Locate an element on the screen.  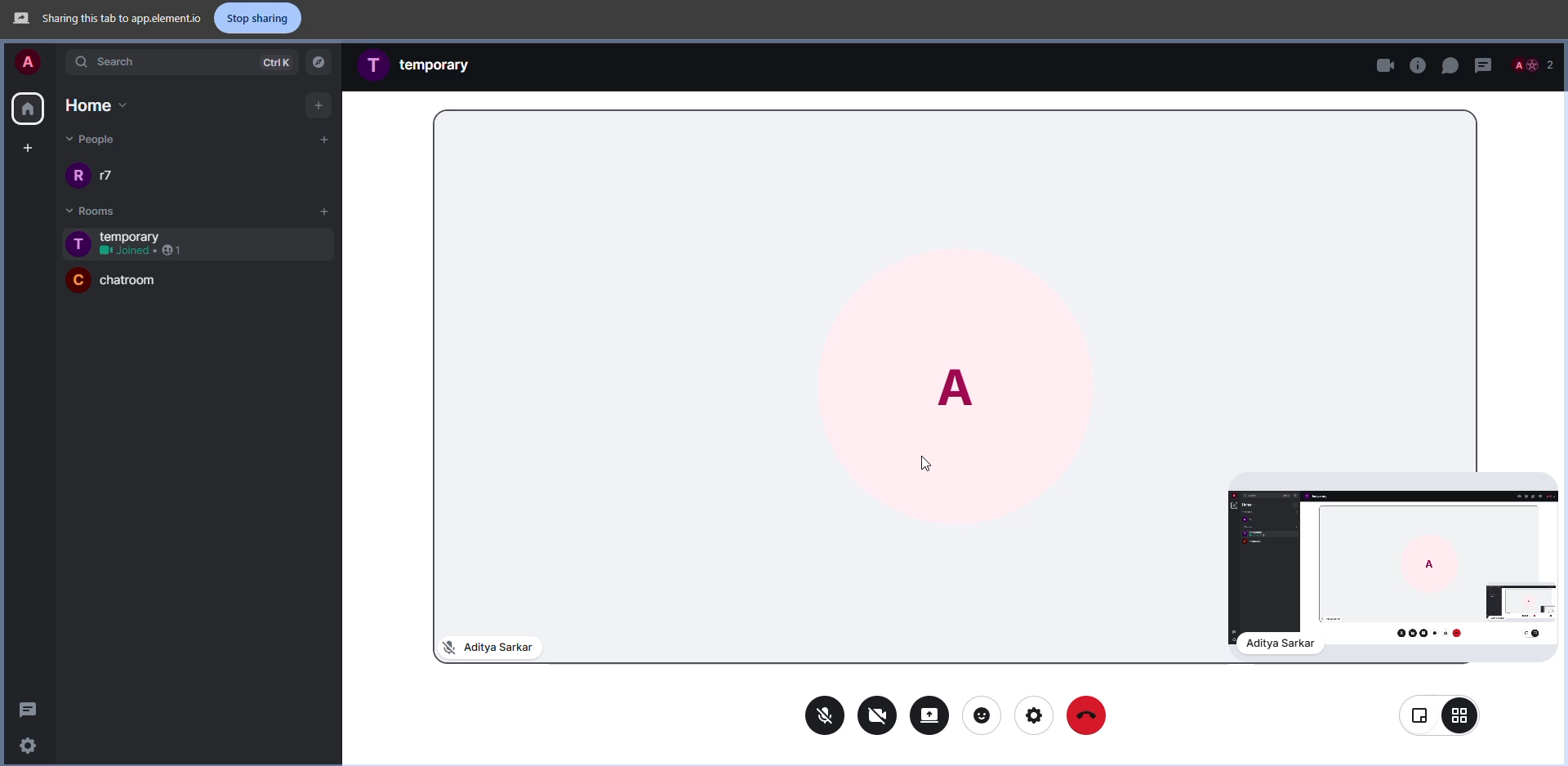
cursor is located at coordinates (927, 464).